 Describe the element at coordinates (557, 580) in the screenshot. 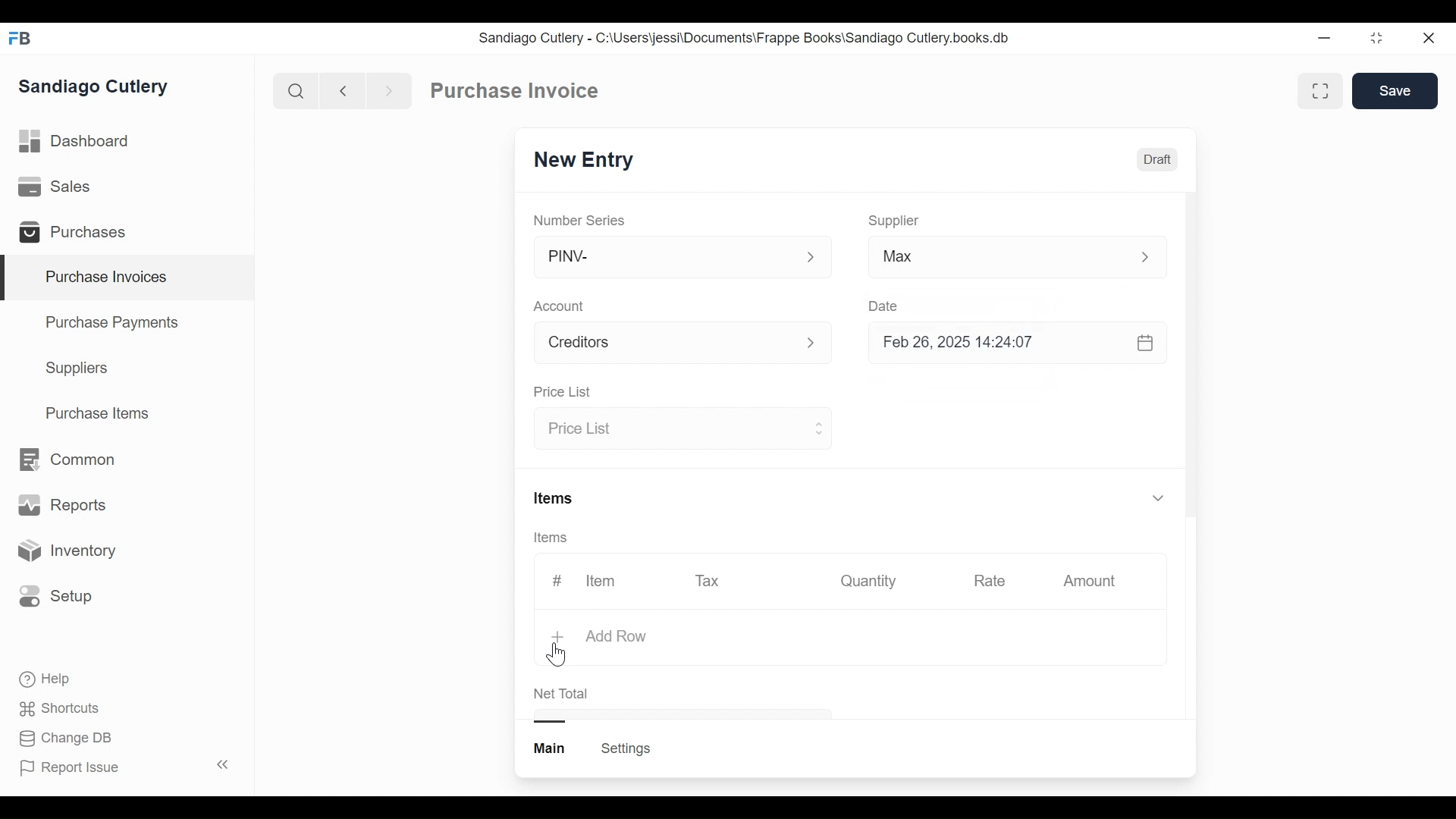

I see `#` at that location.